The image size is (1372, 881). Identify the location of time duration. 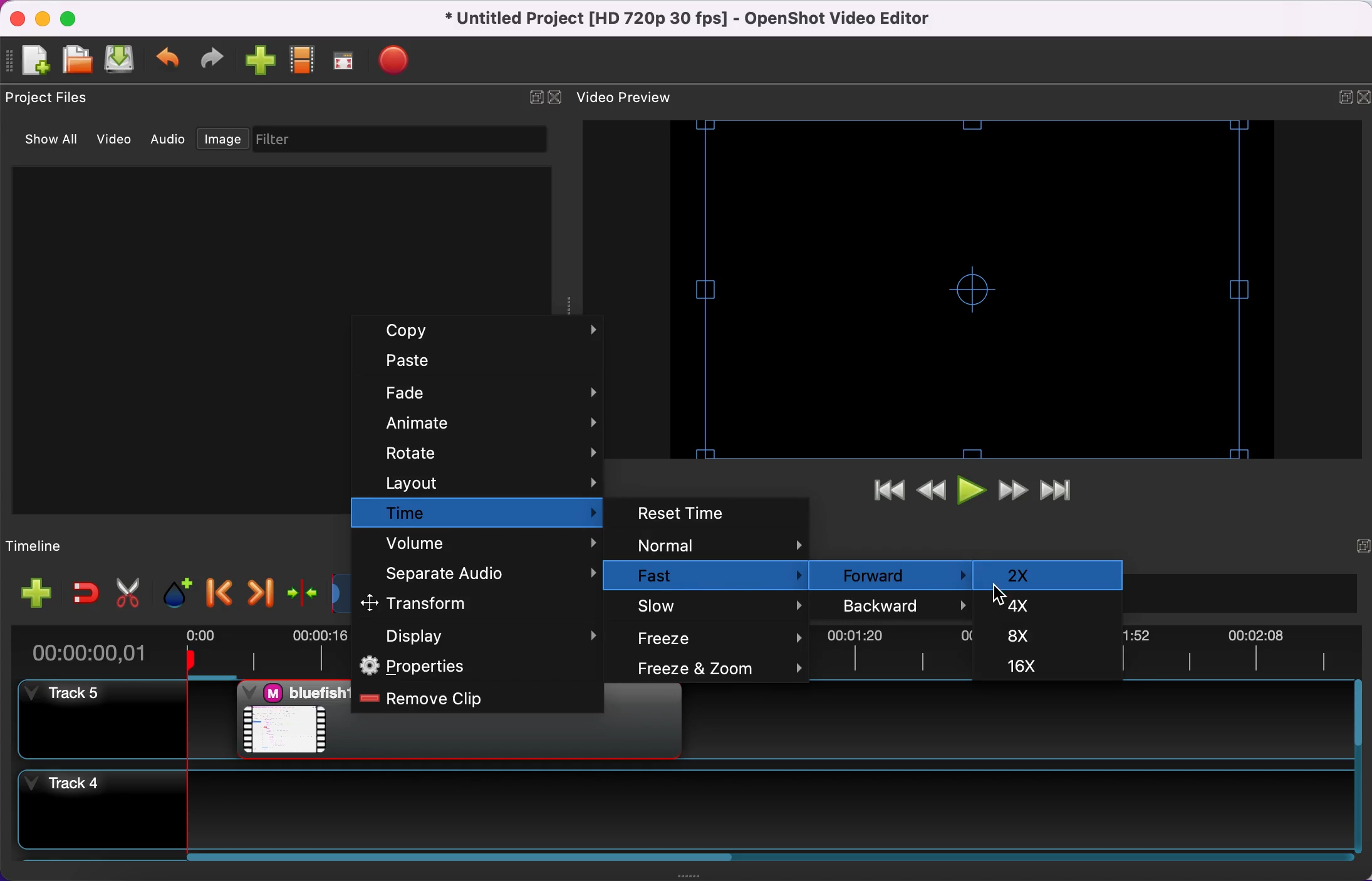
(101, 649).